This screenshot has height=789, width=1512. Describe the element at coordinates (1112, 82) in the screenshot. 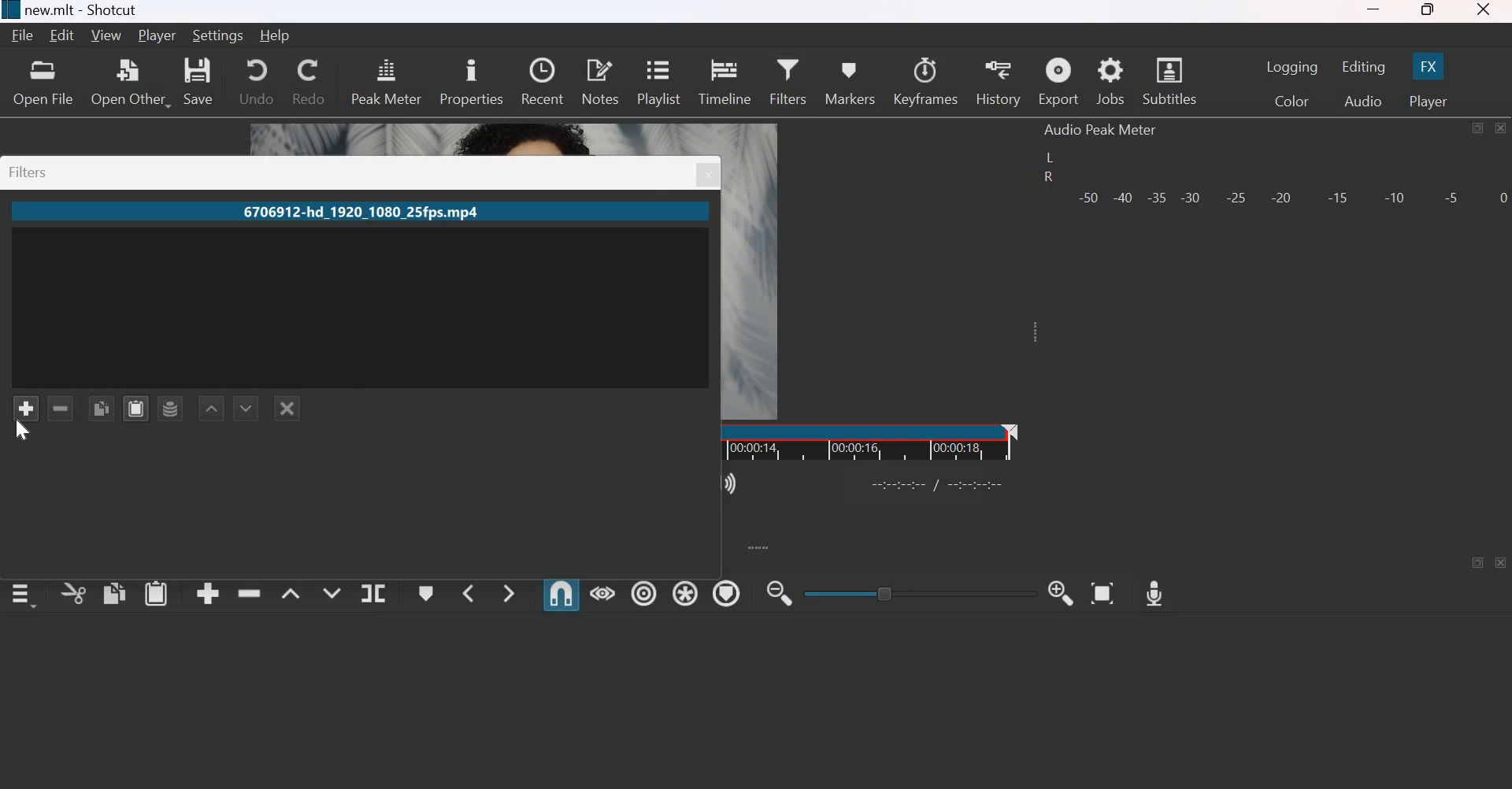

I see `jobs` at that location.